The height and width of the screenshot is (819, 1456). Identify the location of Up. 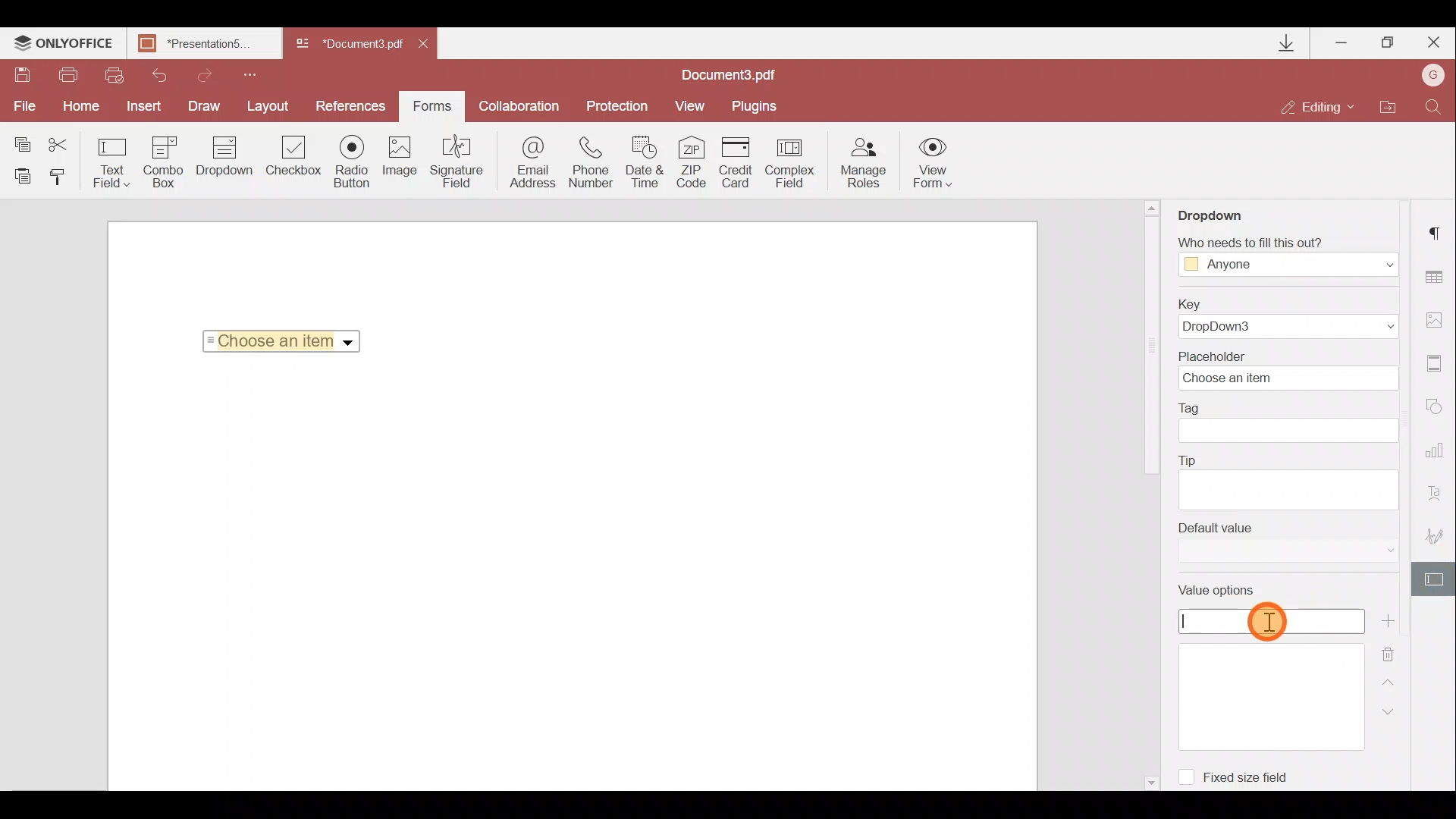
(1391, 679).